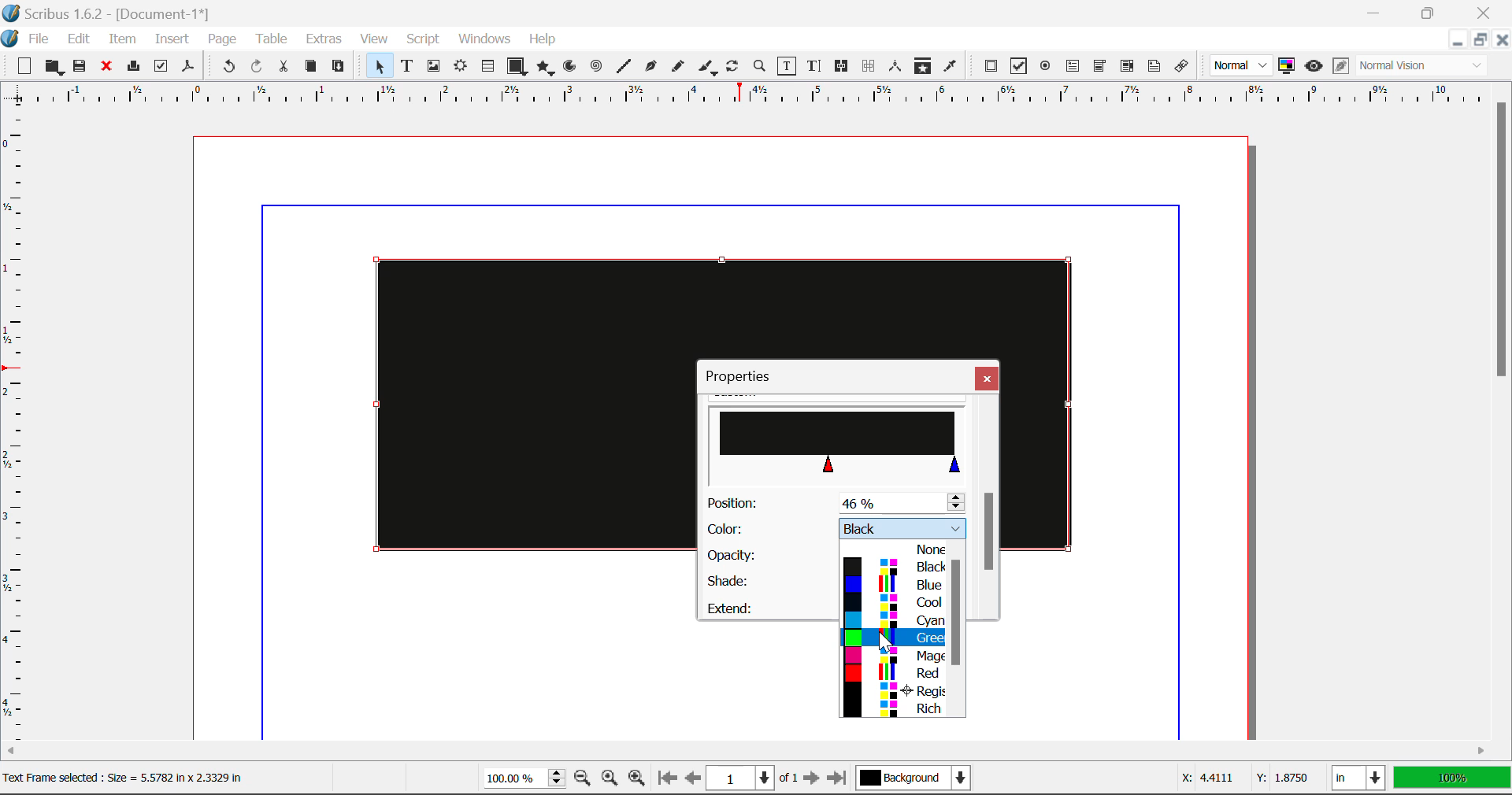  What do you see at coordinates (1360, 780) in the screenshot?
I see `Measurement Units` at bounding box center [1360, 780].